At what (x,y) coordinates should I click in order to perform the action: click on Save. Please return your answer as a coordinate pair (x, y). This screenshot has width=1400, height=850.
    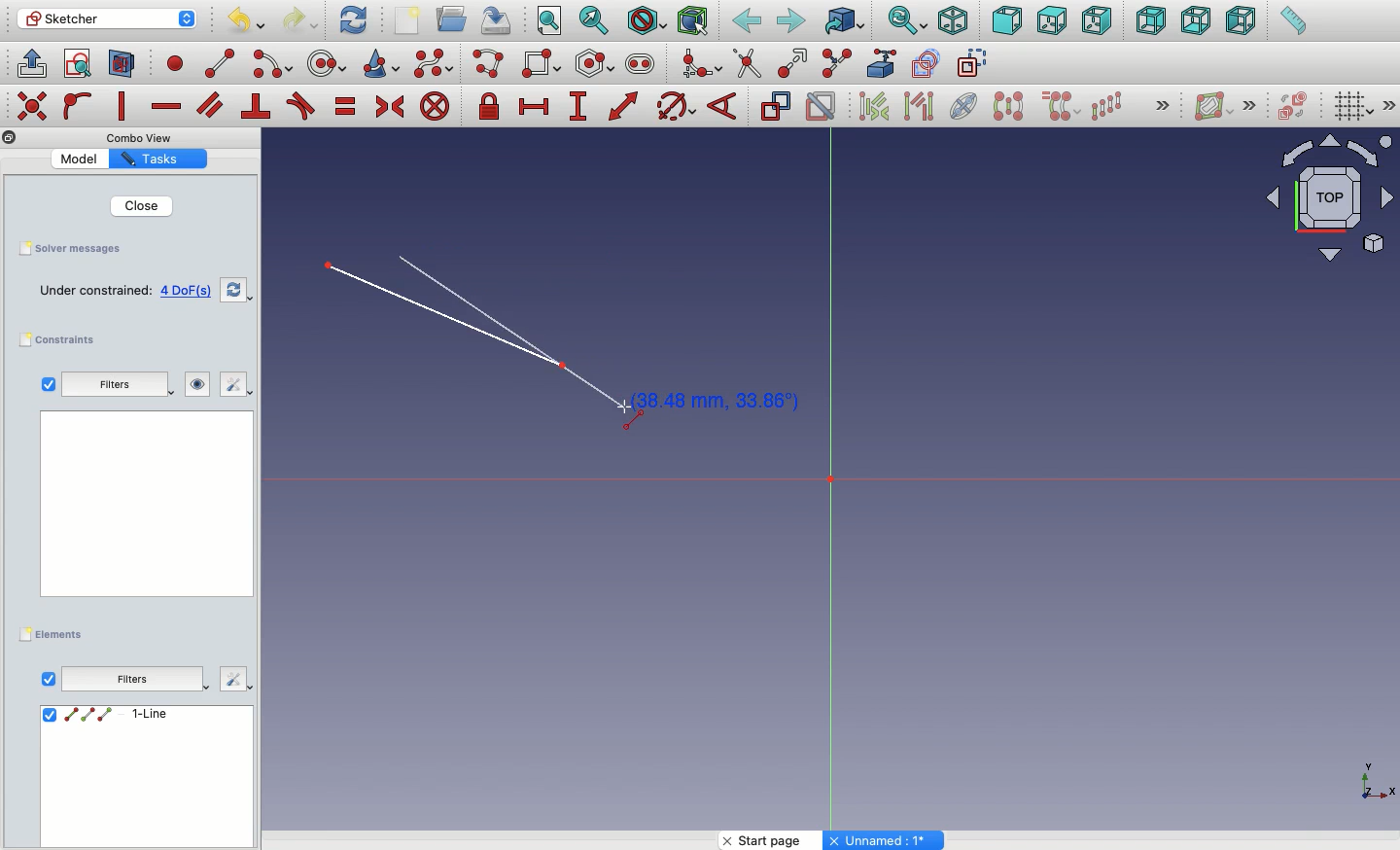
    Looking at the image, I should click on (501, 20).